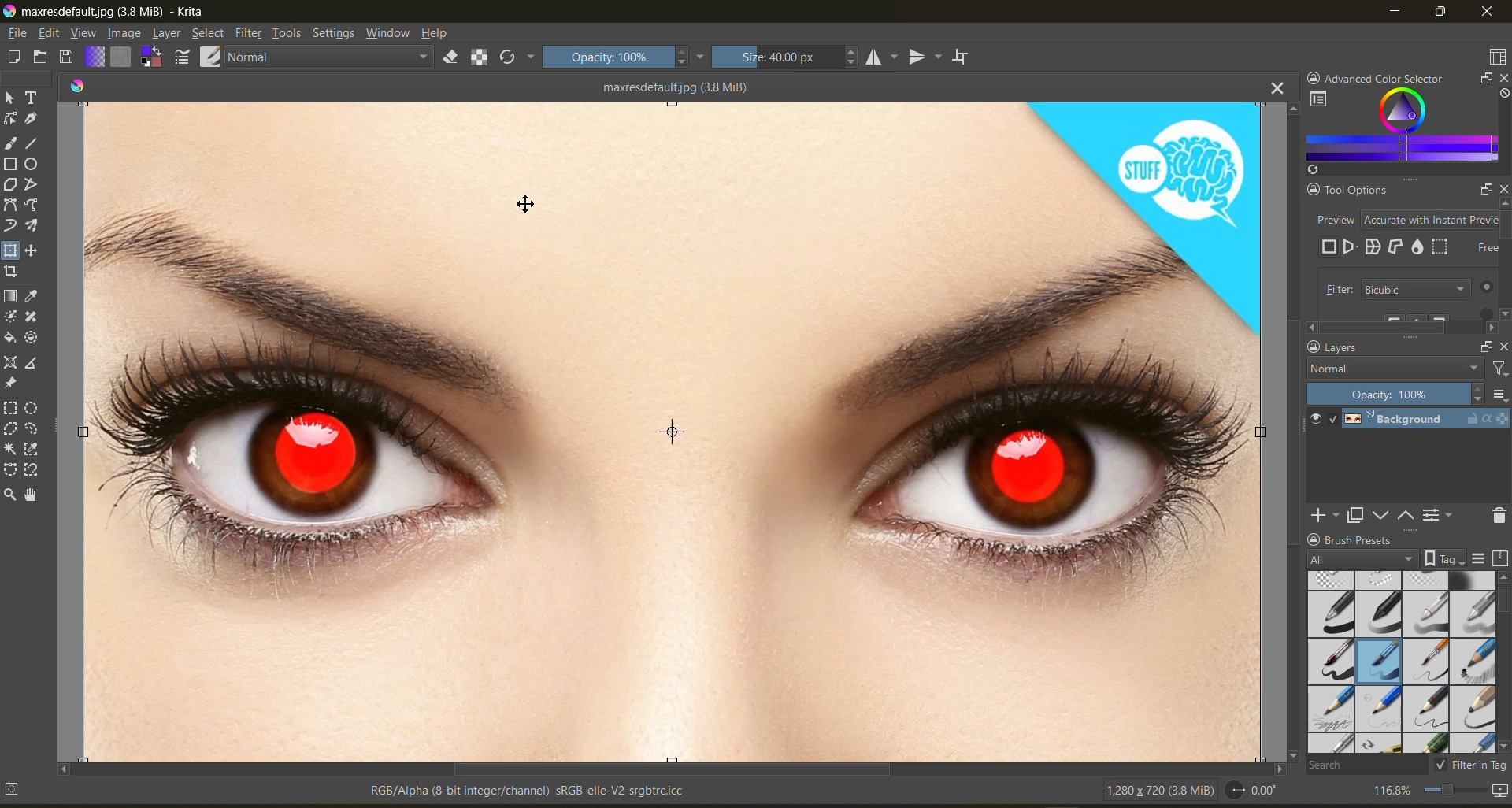 The height and width of the screenshot is (808, 1512). Describe the element at coordinates (966, 57) in the screenshot. I see `wrap around mode` at that location.